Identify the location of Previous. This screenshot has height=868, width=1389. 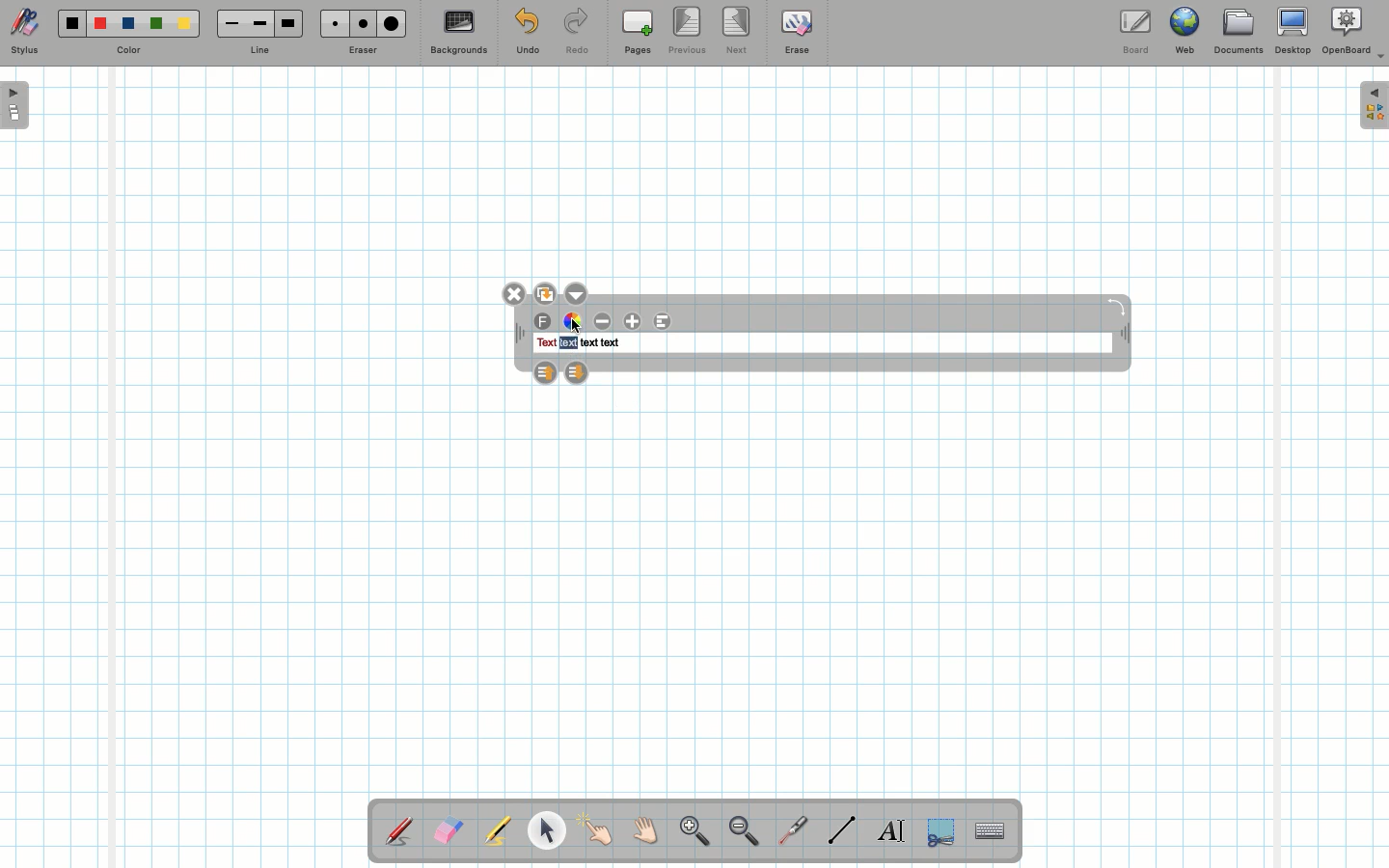
(689, 32).